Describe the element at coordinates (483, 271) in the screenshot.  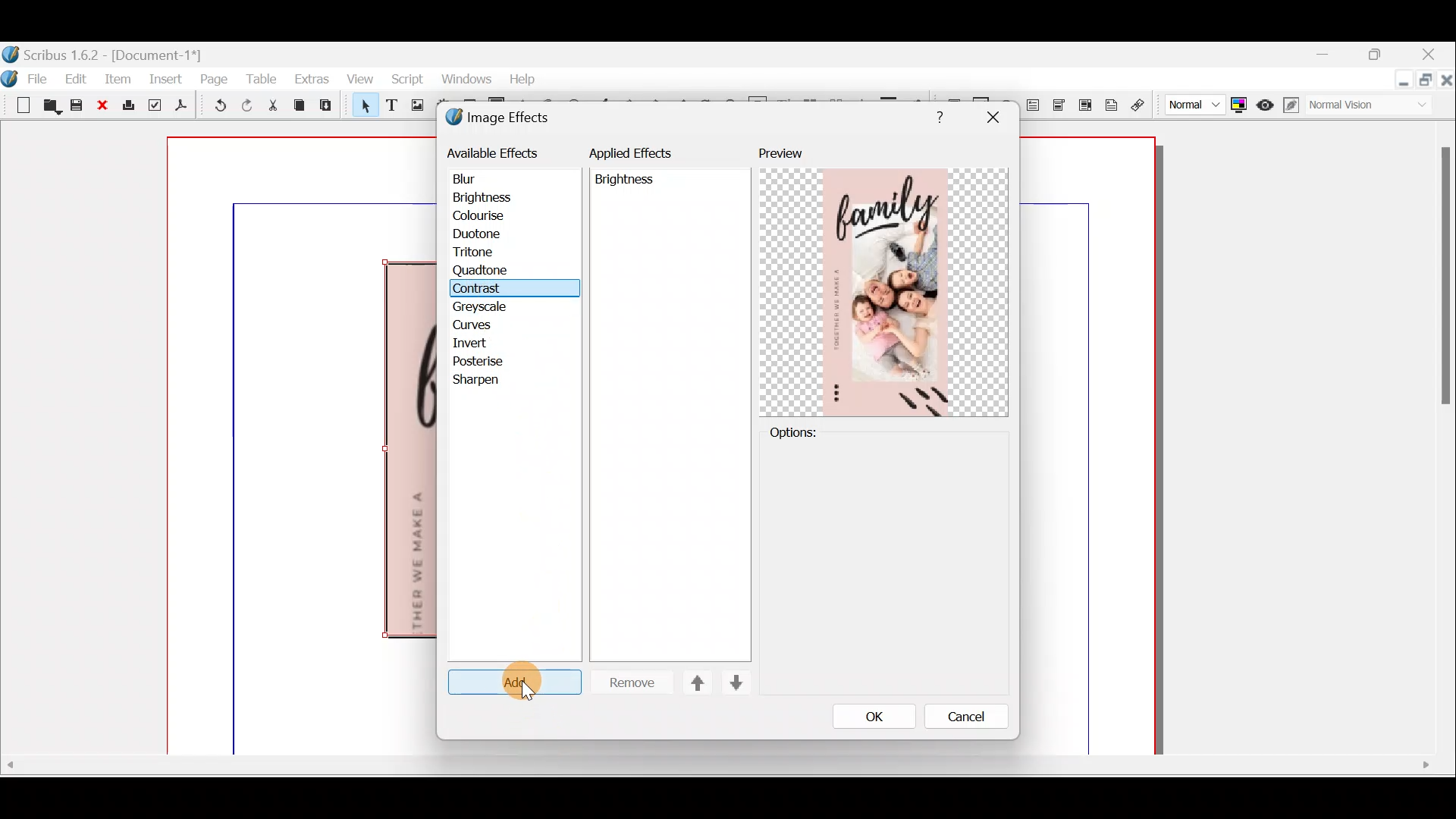
I see `Quatone` at that location.